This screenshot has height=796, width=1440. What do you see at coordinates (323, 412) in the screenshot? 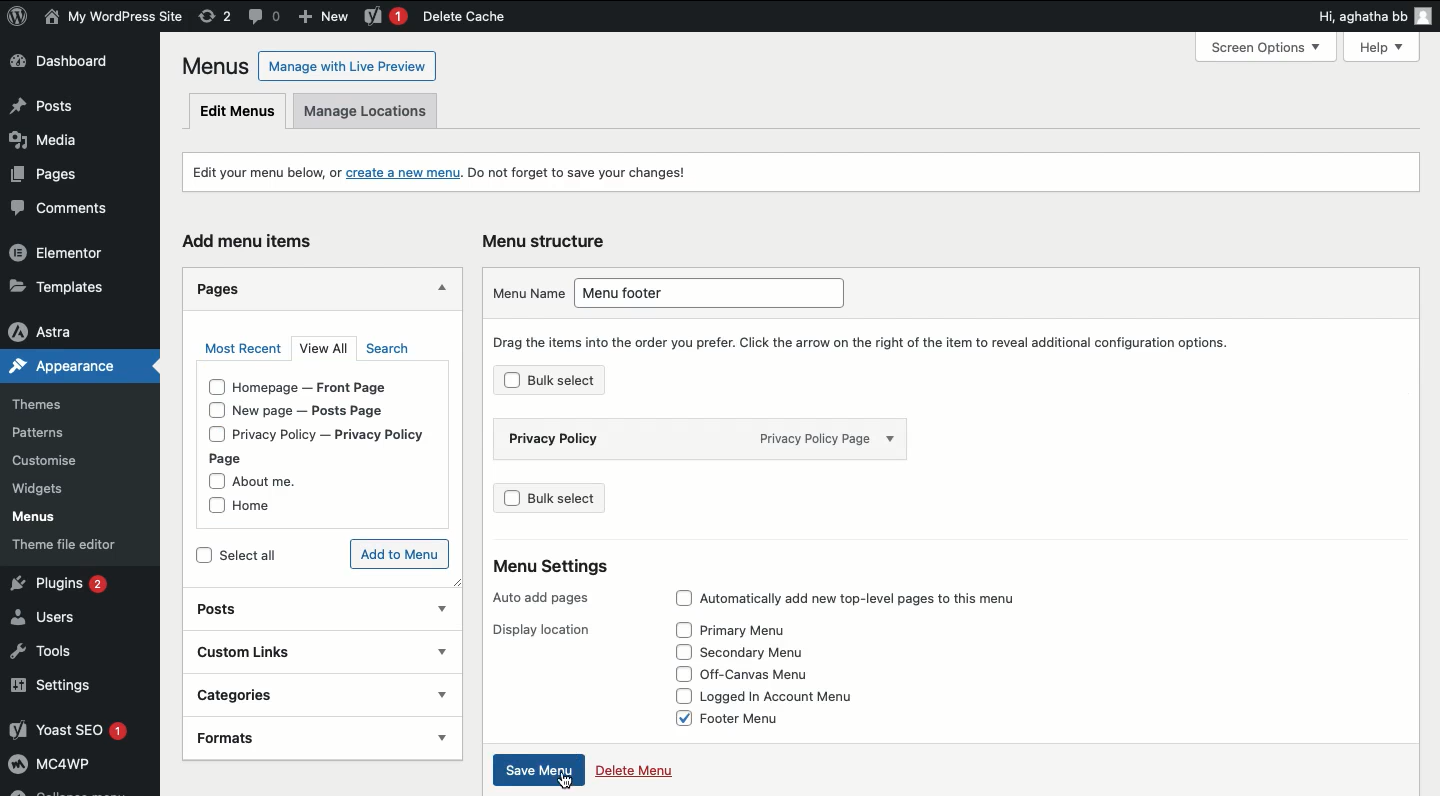
I see `New page ~ Post Page` at bounding box center [323, 412].